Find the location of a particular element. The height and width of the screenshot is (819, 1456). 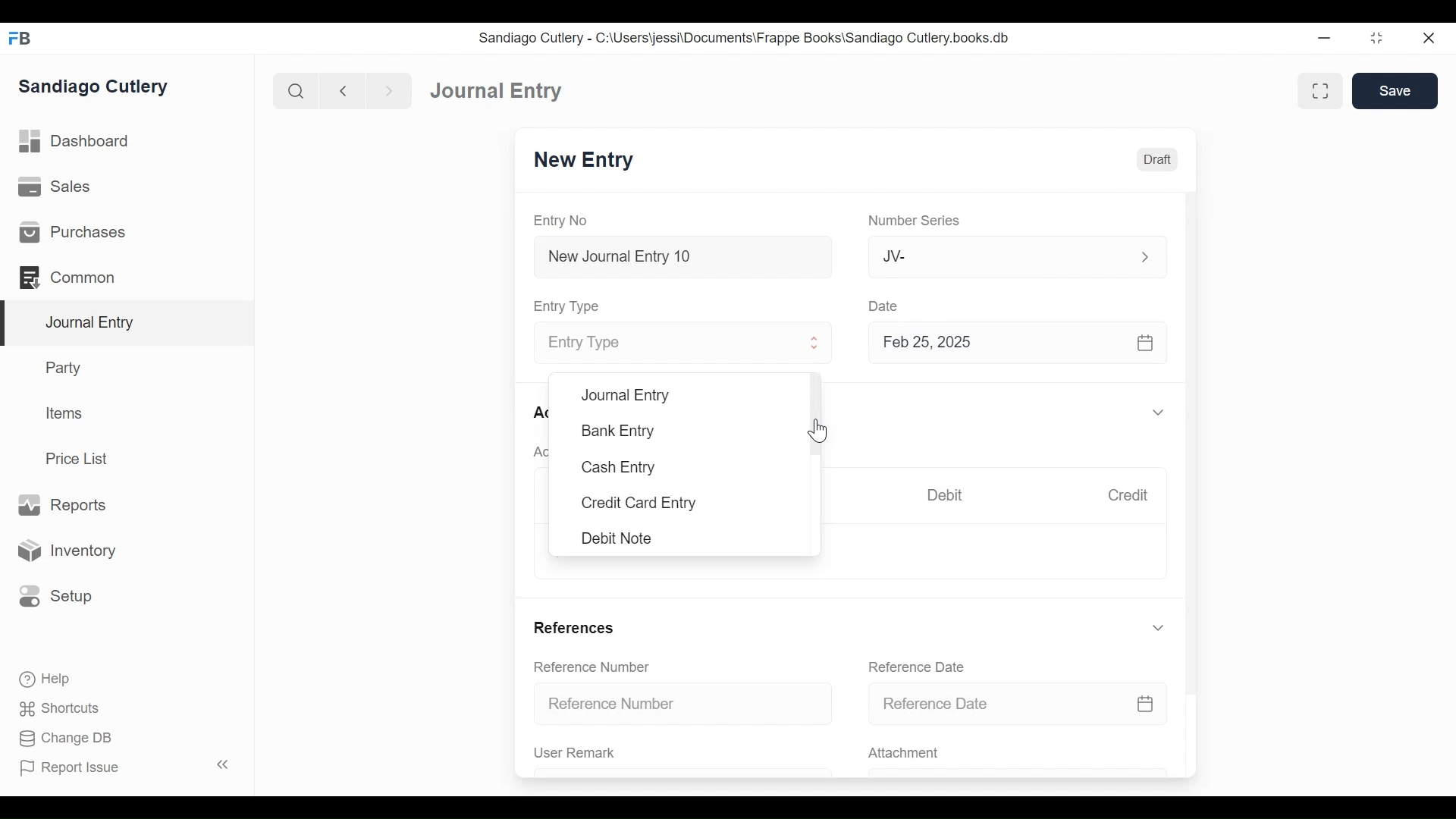

Credit is located at coordinates (1131, 497).